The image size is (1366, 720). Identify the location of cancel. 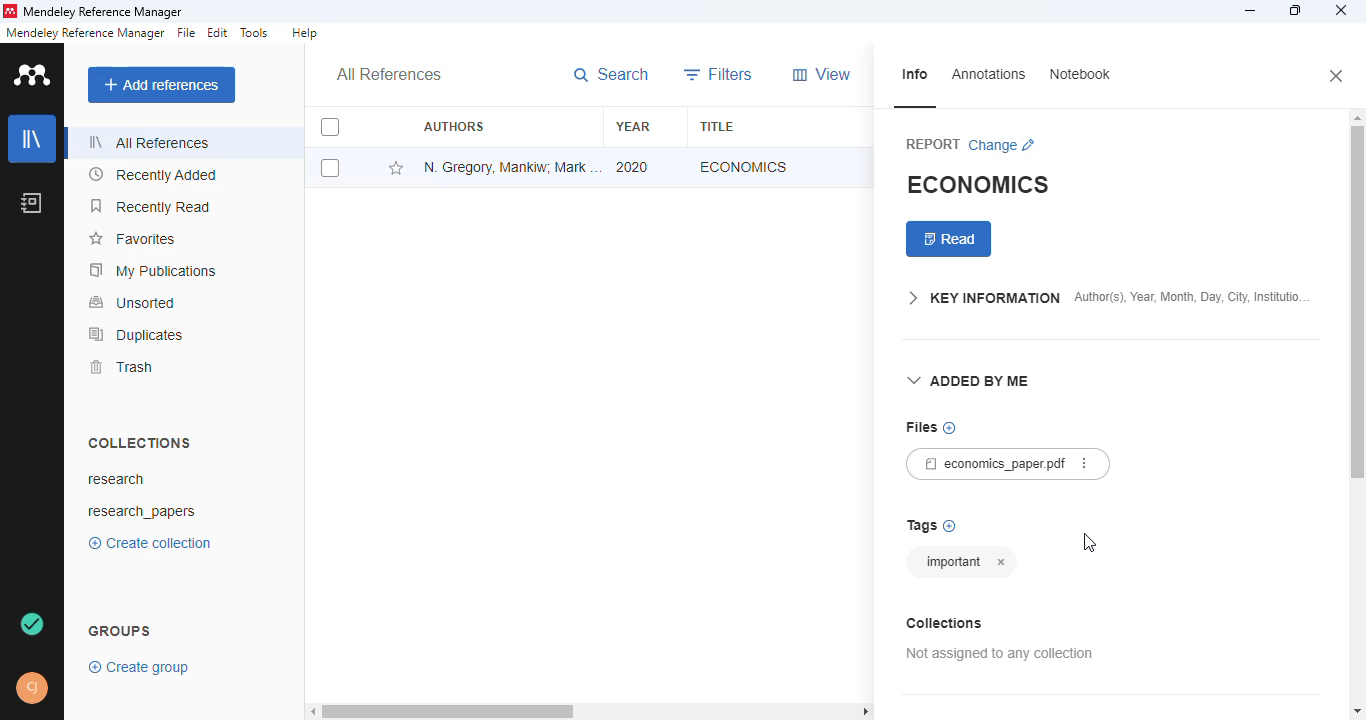
(1001, 563).